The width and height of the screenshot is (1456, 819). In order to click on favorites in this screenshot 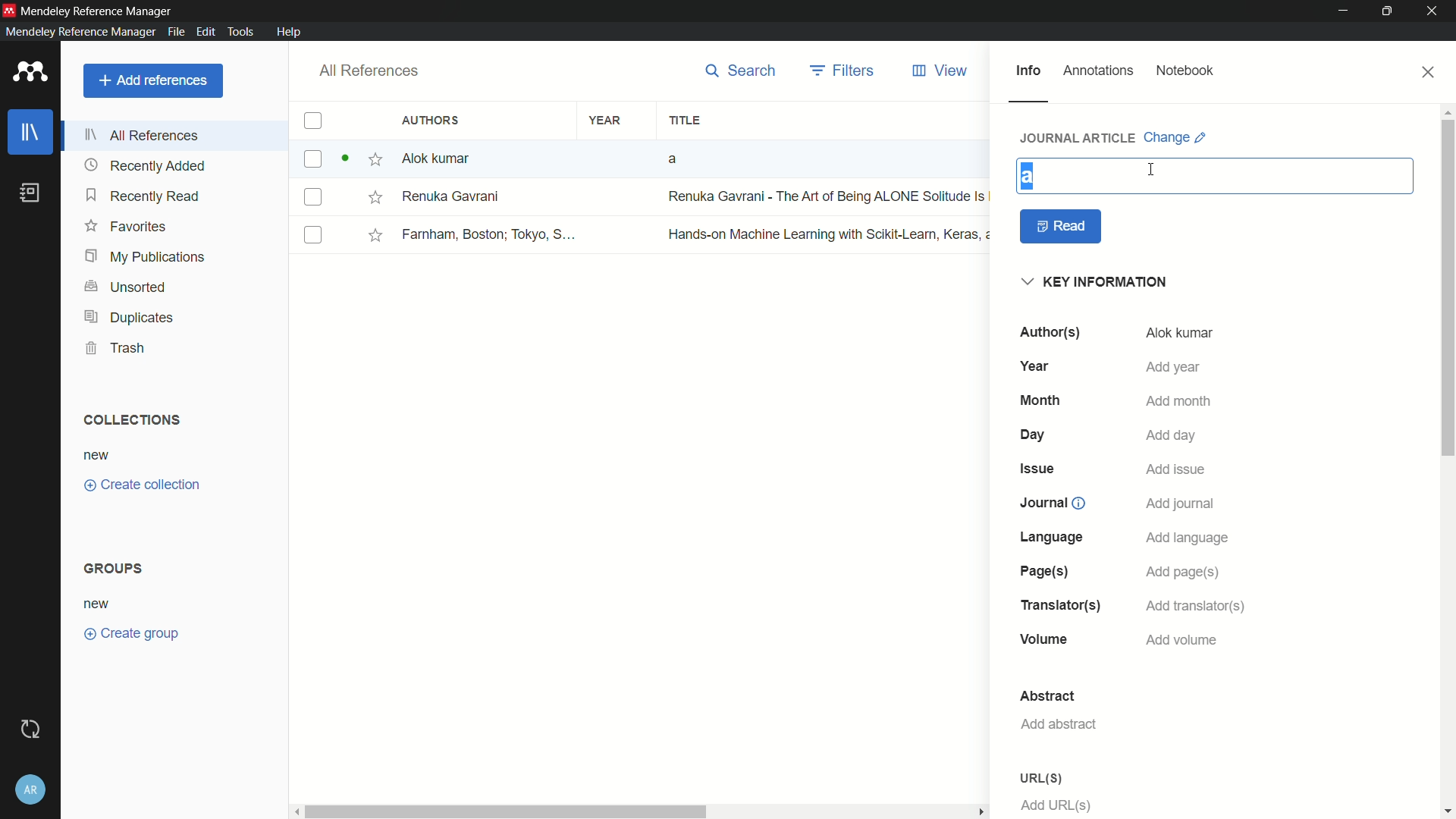, I will do `click(125, 225)`.